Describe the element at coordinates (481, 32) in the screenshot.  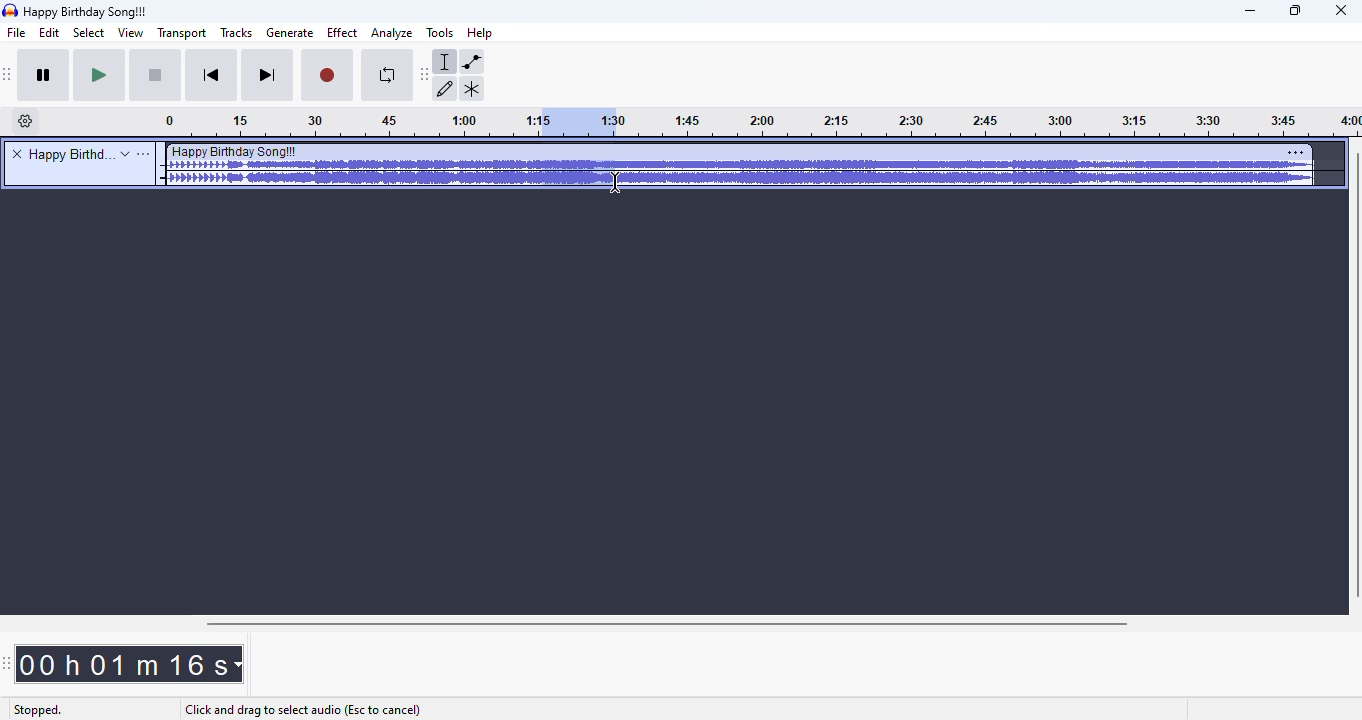
I see `help` at that location.